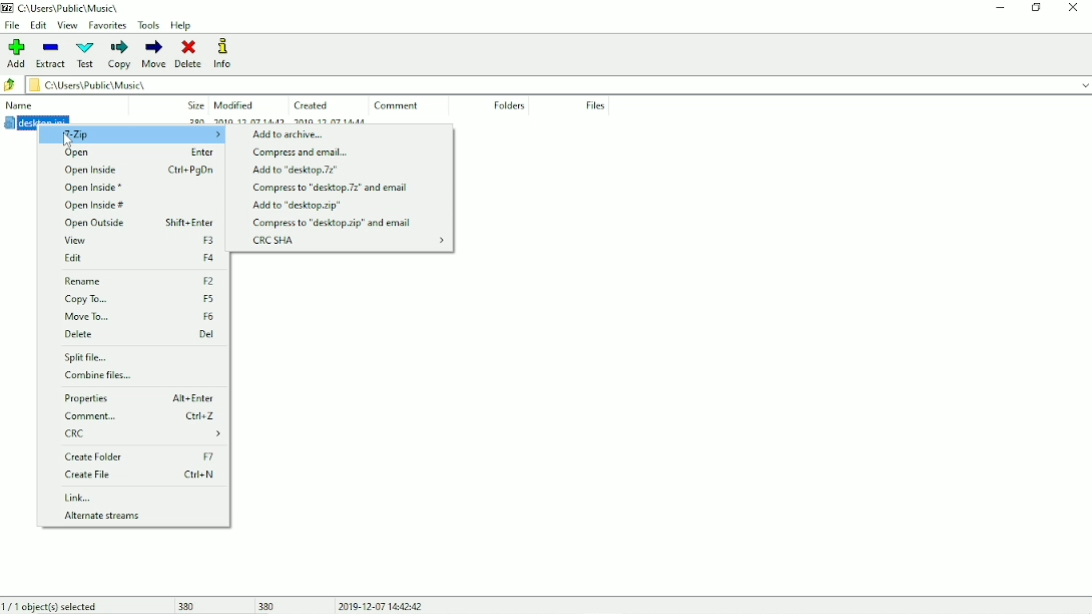  What do you see at coordinates (380, 604) in the screenshot?
I see `Date and Time` at bounding box center [380, 604].